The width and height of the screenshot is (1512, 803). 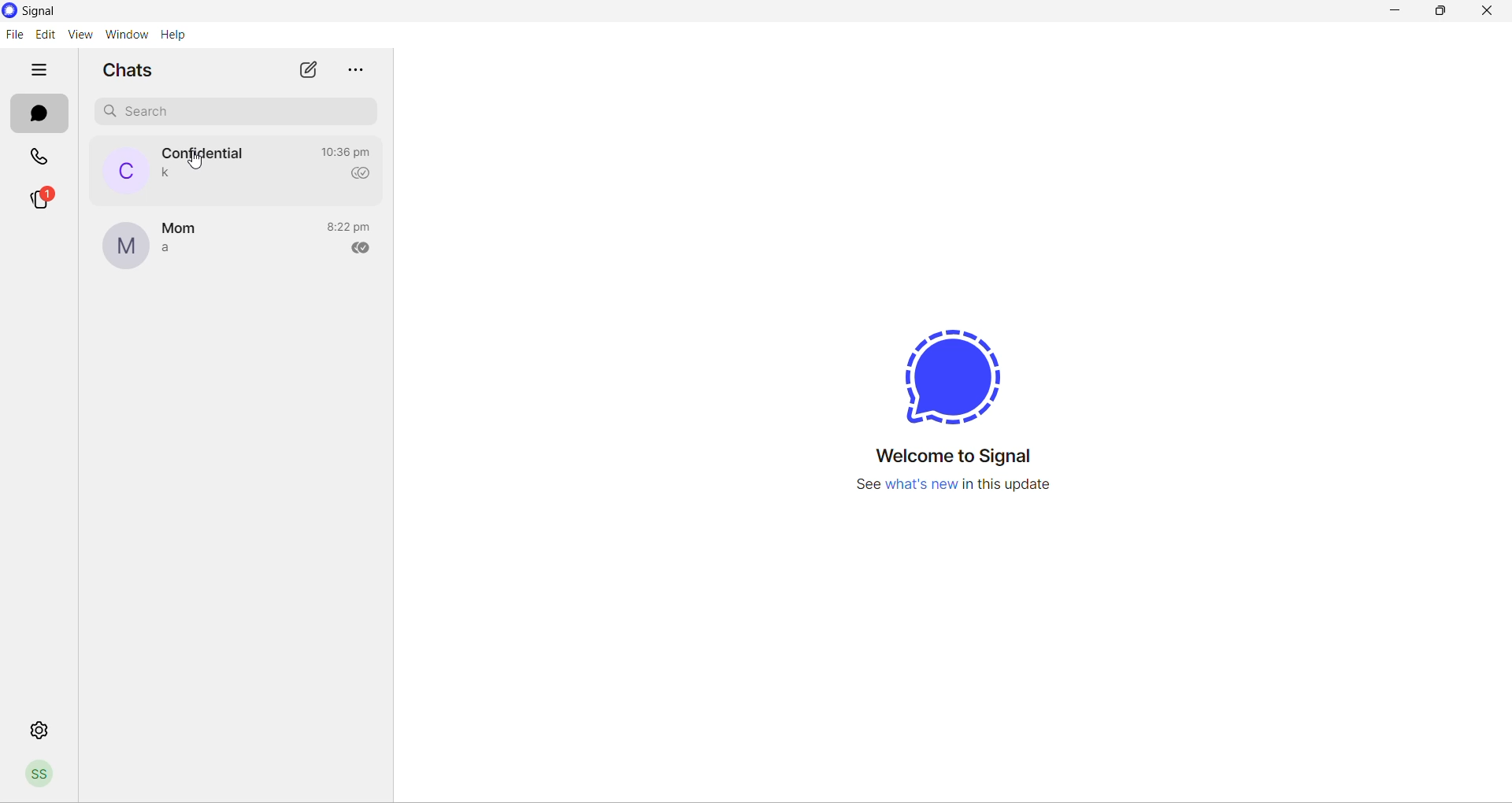 I want to click on last message, so click(x=169, y=174).